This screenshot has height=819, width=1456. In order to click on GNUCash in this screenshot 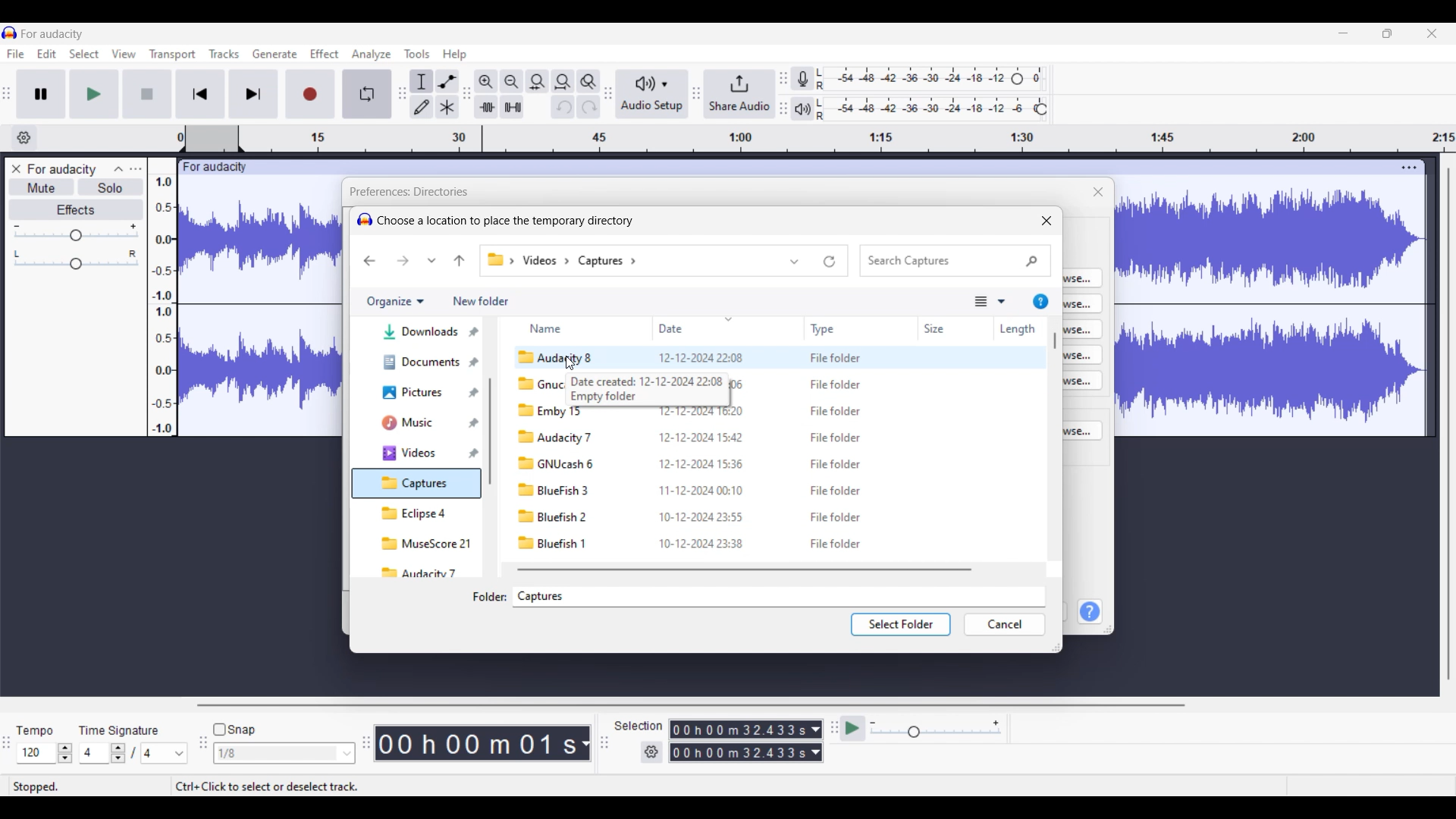, I will do `click(557, 465)`.